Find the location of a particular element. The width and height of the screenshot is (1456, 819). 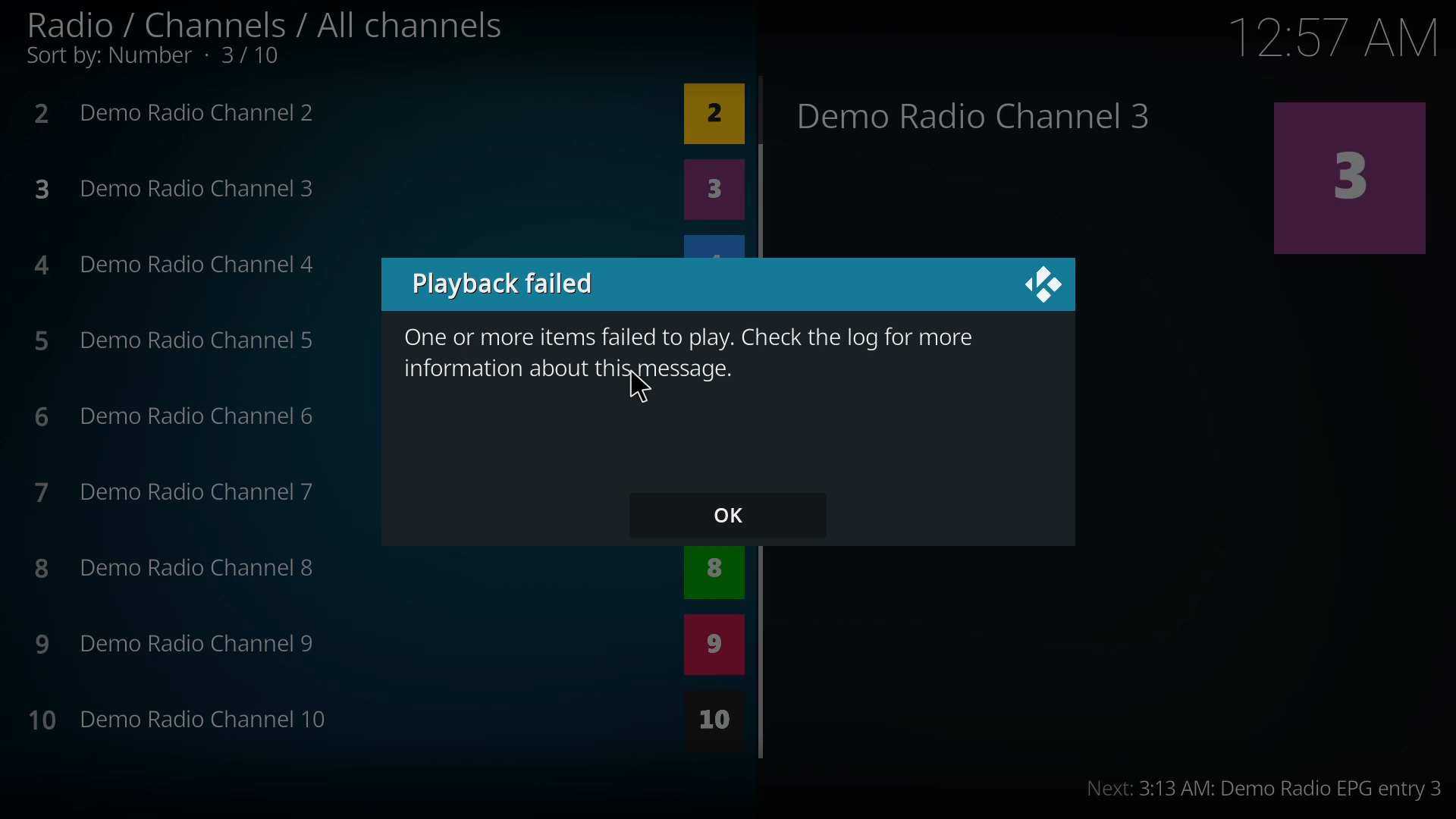

3 is located at coordinates (713, 190).